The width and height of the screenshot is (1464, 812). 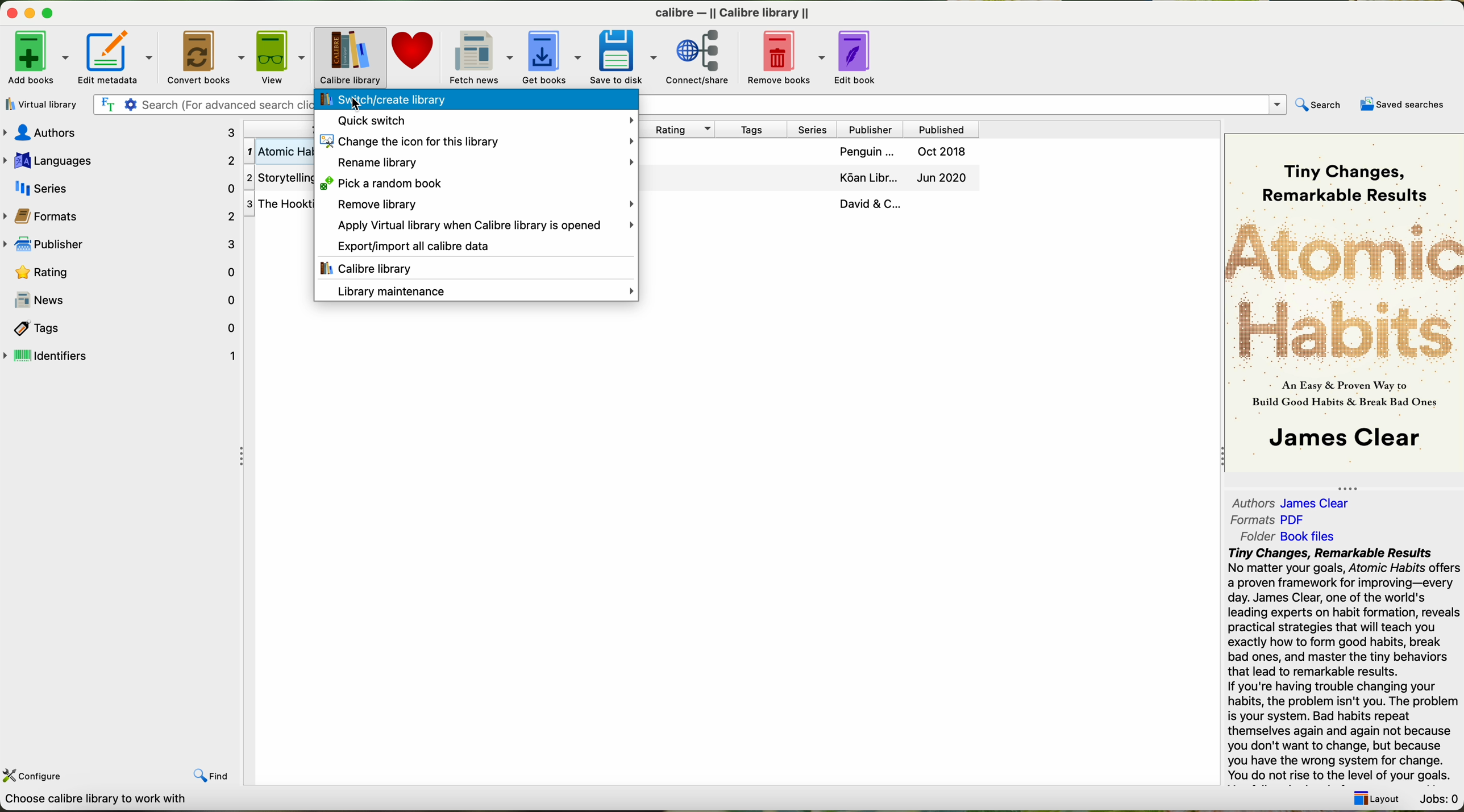 I want to click on edit book, so click(x=860, y=55).